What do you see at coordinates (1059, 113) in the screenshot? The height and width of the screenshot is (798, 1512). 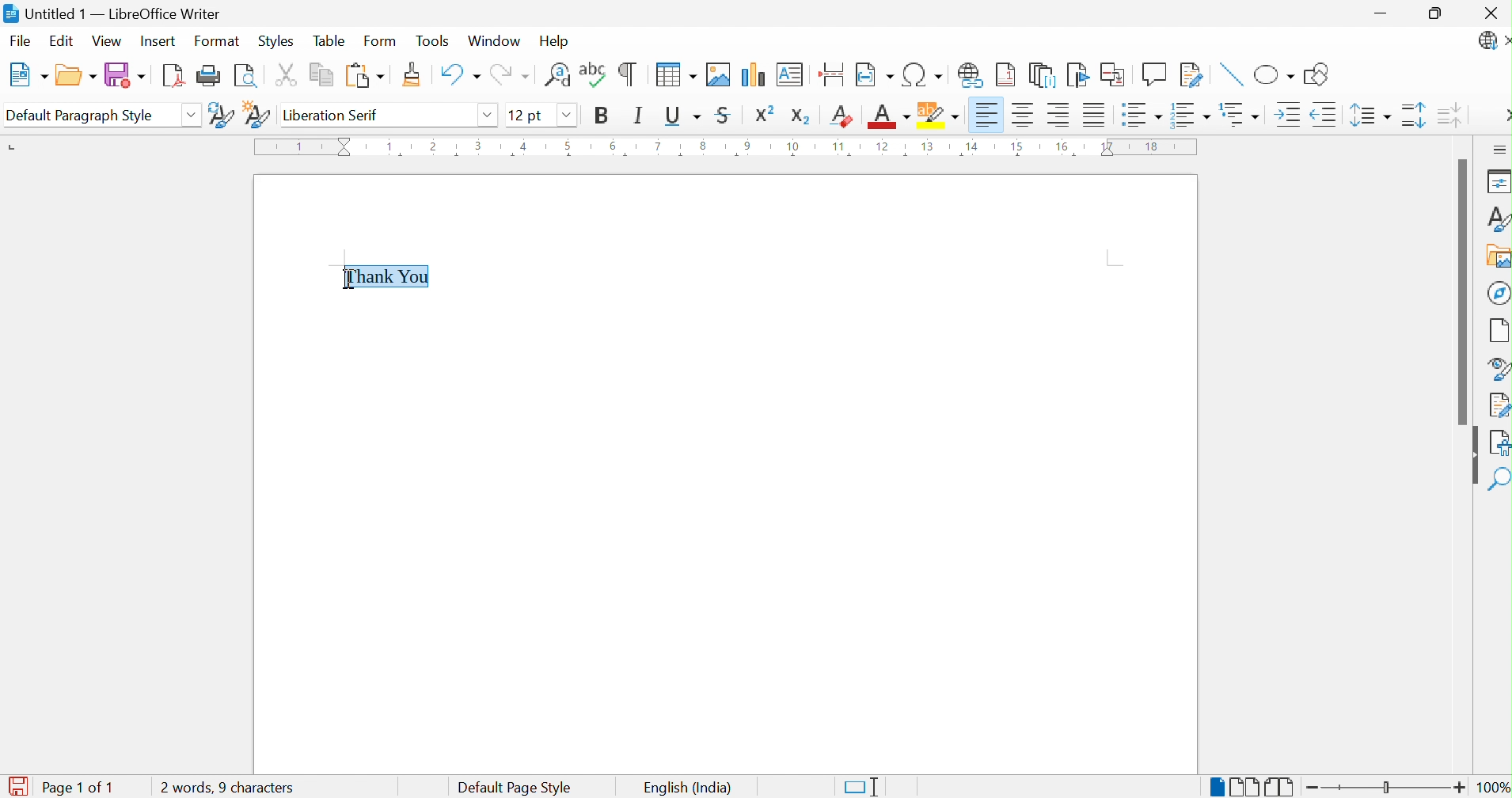 I see `Align Right` at bounding box center [1059, 113].